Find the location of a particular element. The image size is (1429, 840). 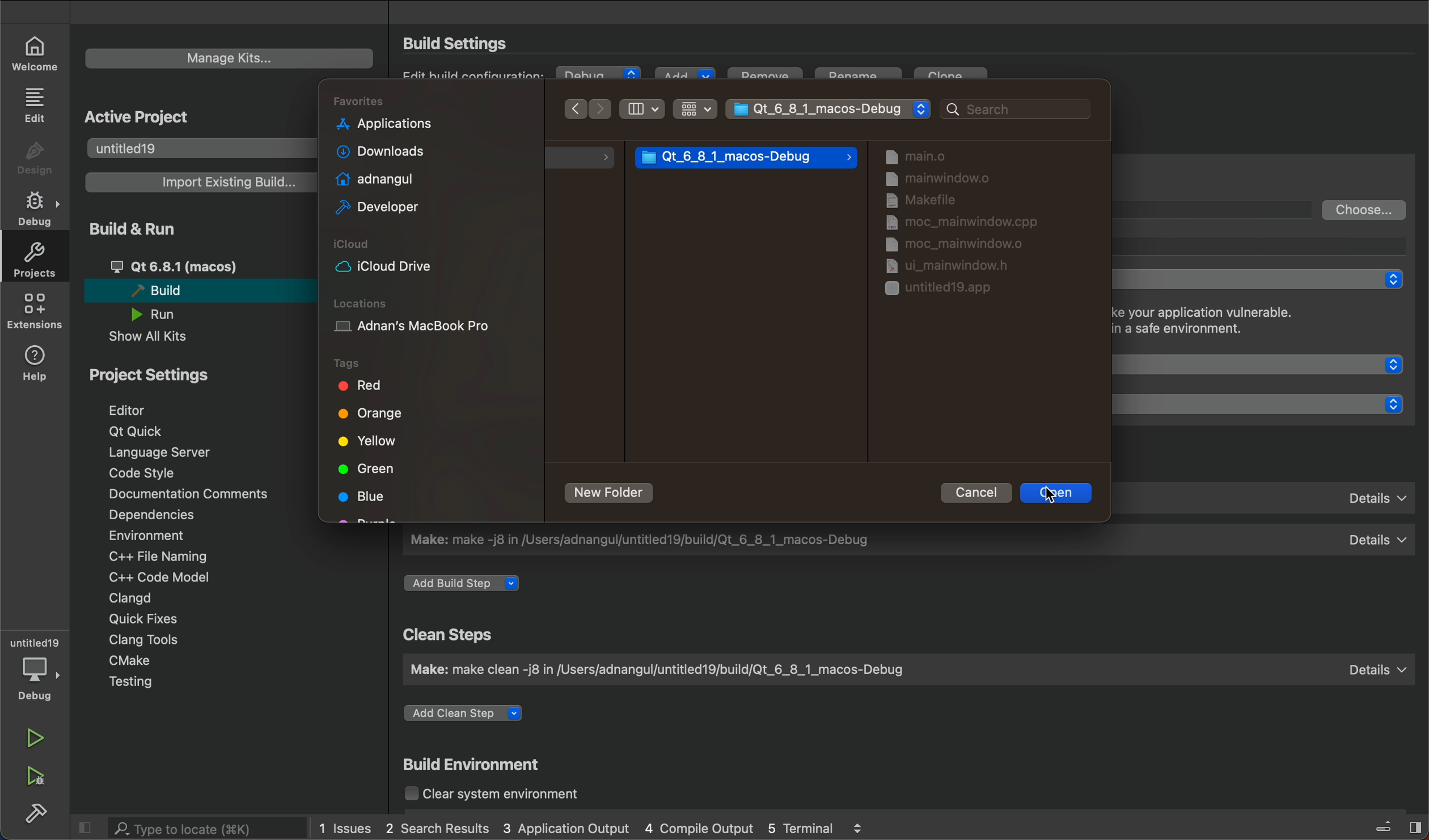

close side bar is located at coordinates (86, 826).